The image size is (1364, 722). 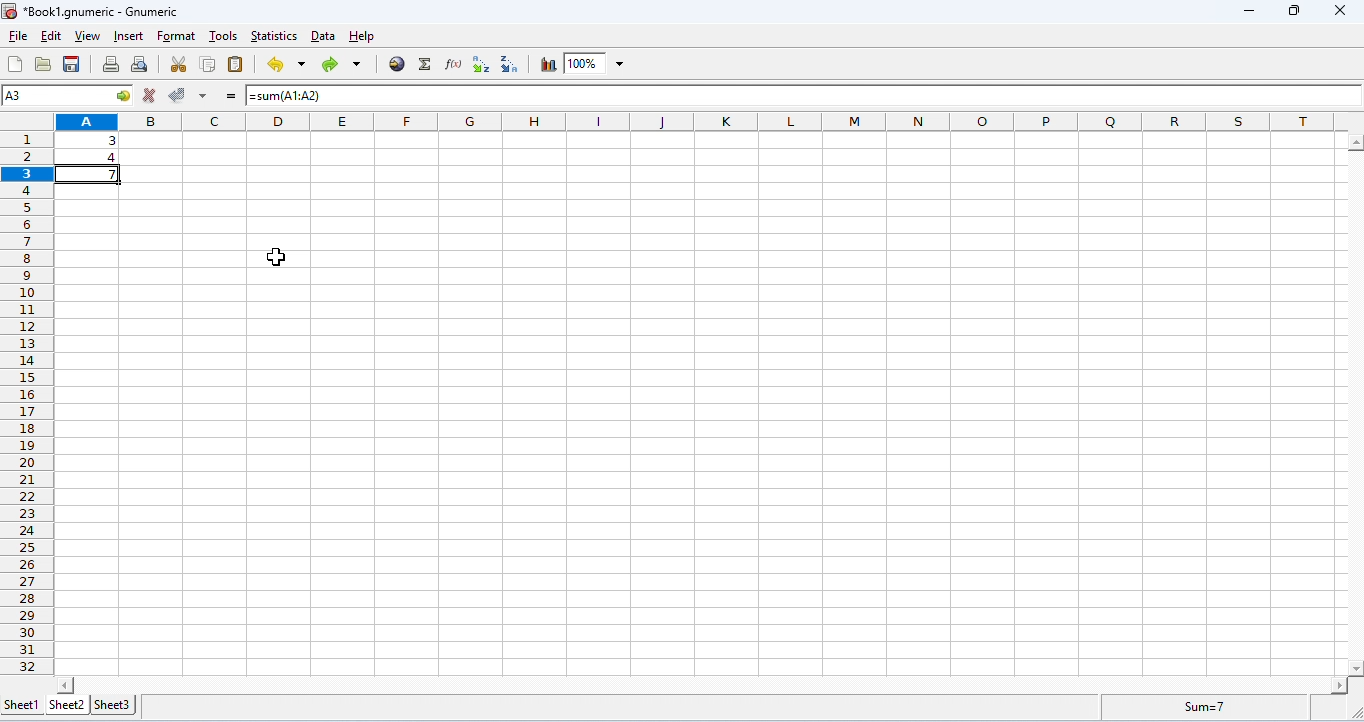 What do you see at coordinates (94, 13) in the screenshot?
I see `Book1.gnumeric - Gnumeric` at bounding box center [94, 13].